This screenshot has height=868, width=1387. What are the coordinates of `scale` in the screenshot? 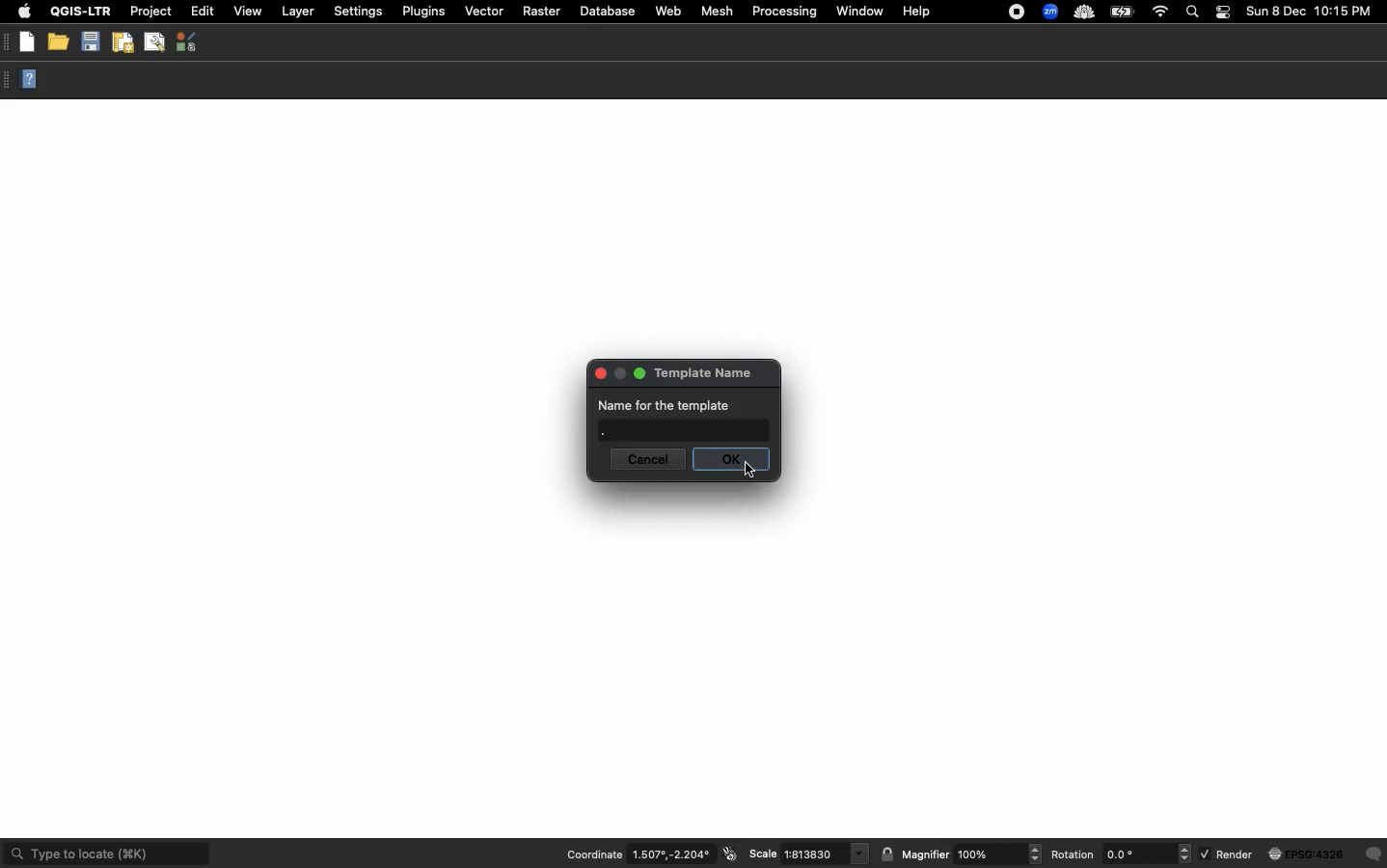 It's located at (825, 854).